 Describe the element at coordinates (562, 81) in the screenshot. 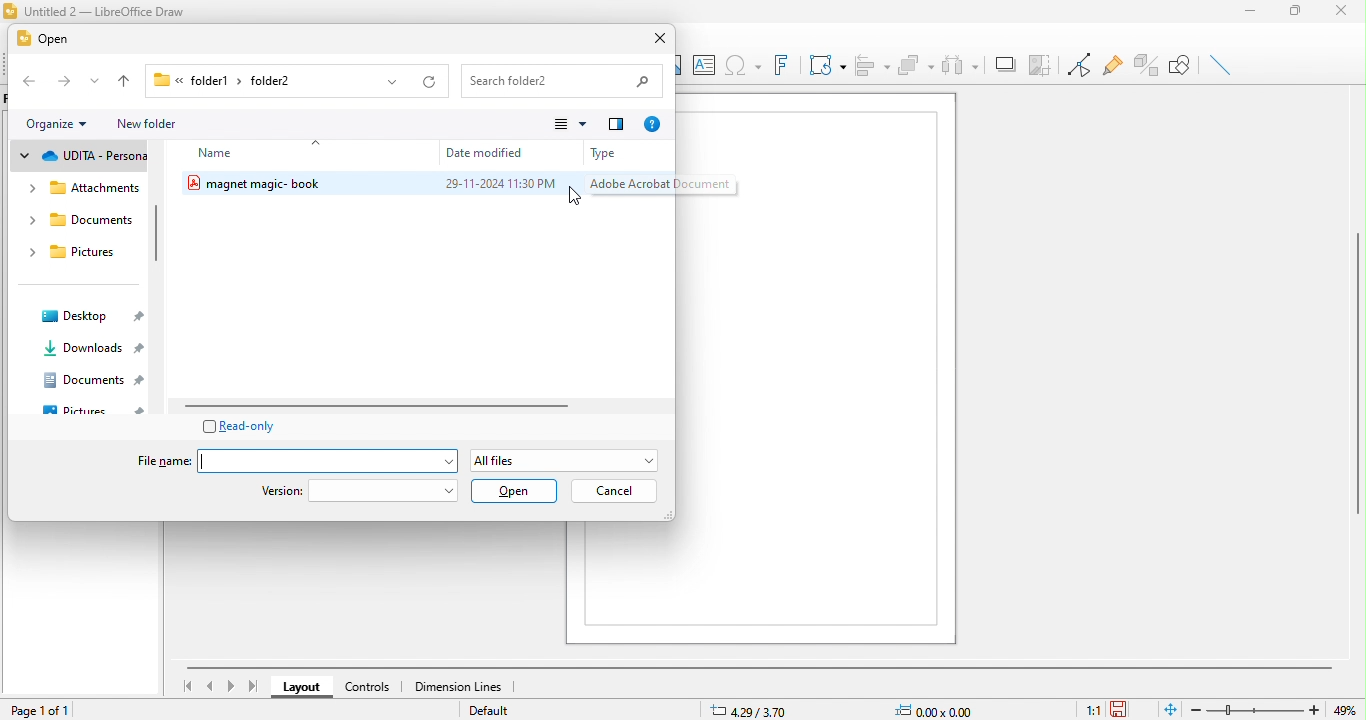

I see `search` at that location.